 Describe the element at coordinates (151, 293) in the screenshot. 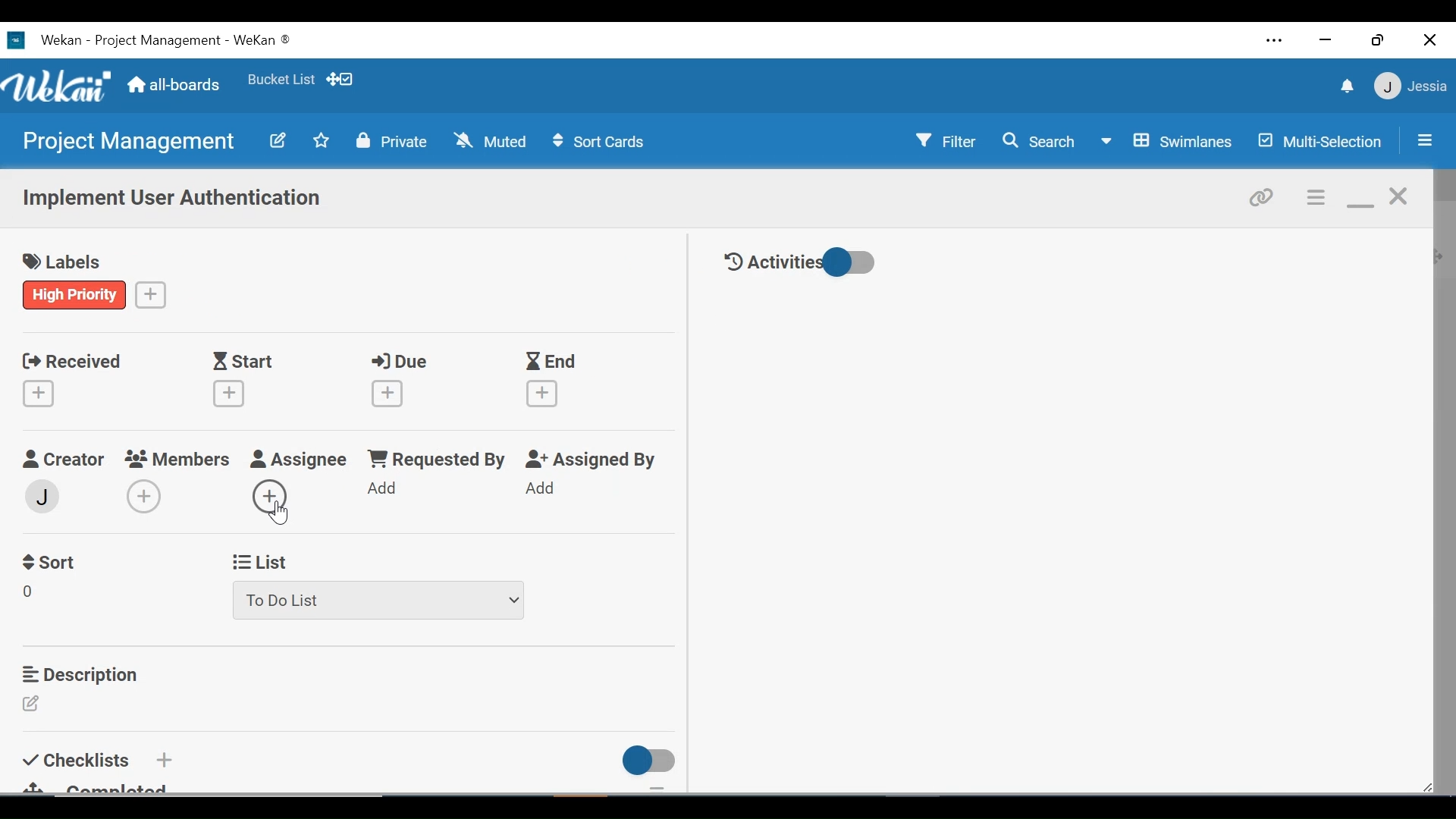

I see `Create labels` at that location.